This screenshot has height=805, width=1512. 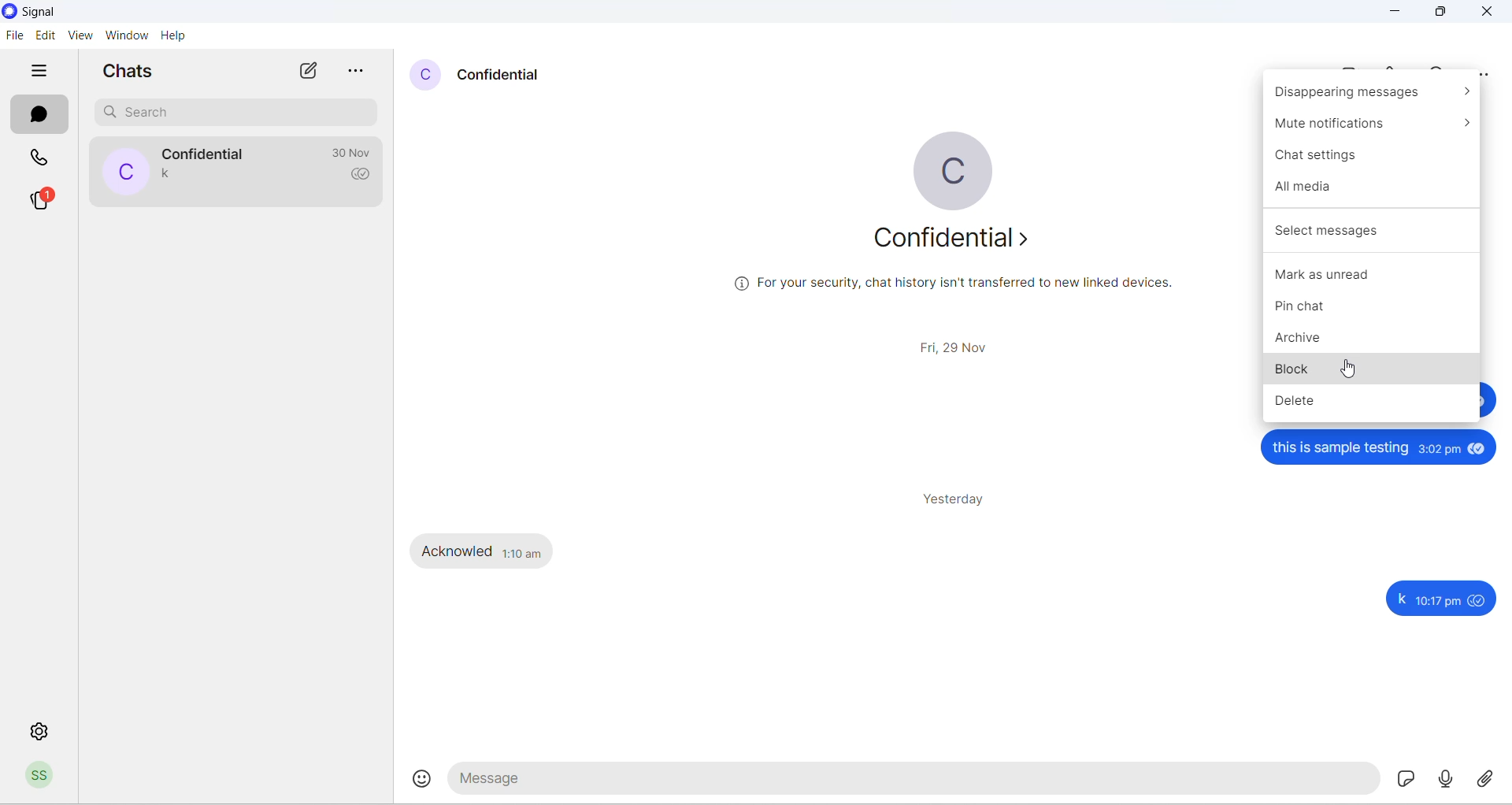 I want to click on k, so click(x=1400, y=599).